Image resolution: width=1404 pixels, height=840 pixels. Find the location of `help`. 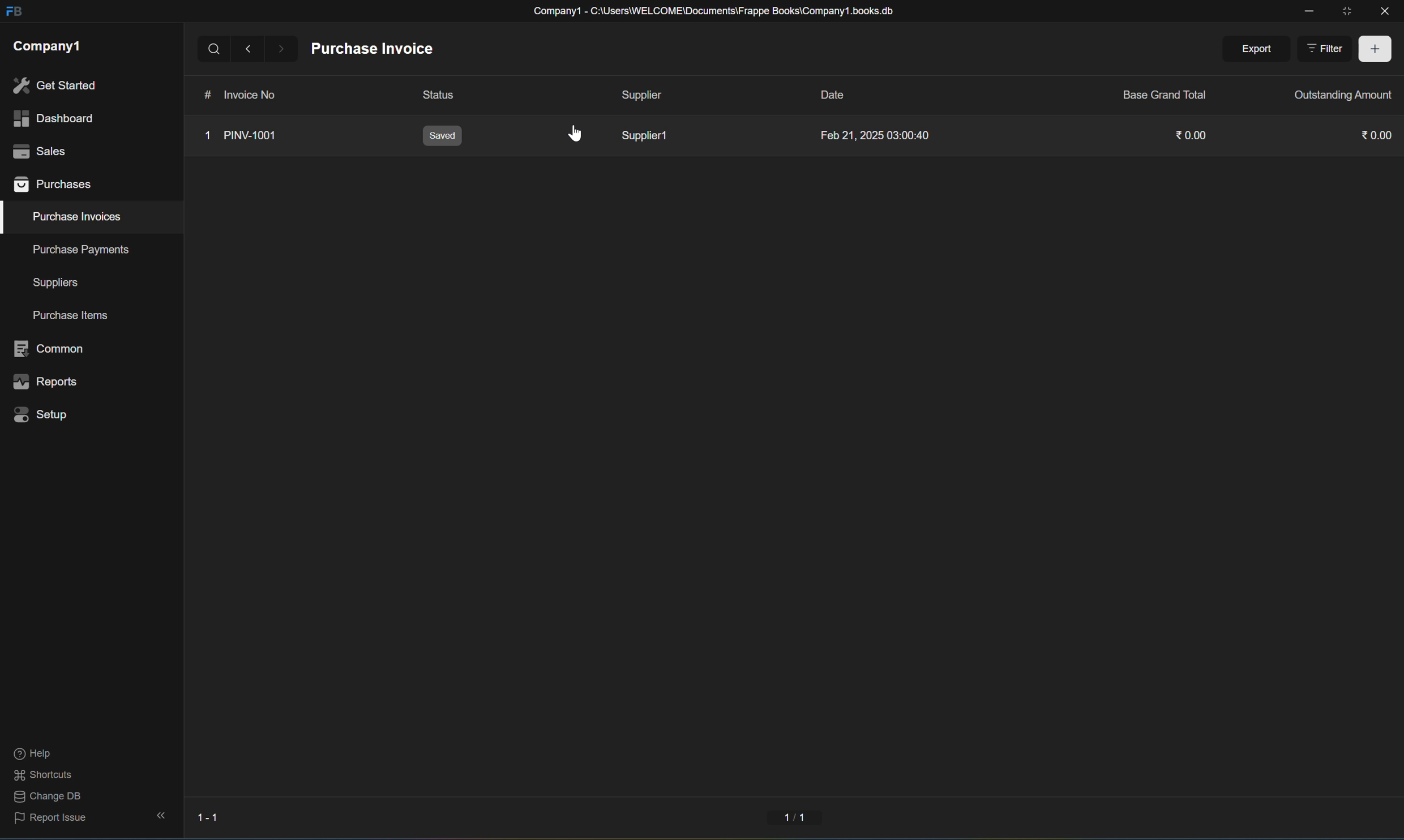

help is located at coordinates (32, 755).